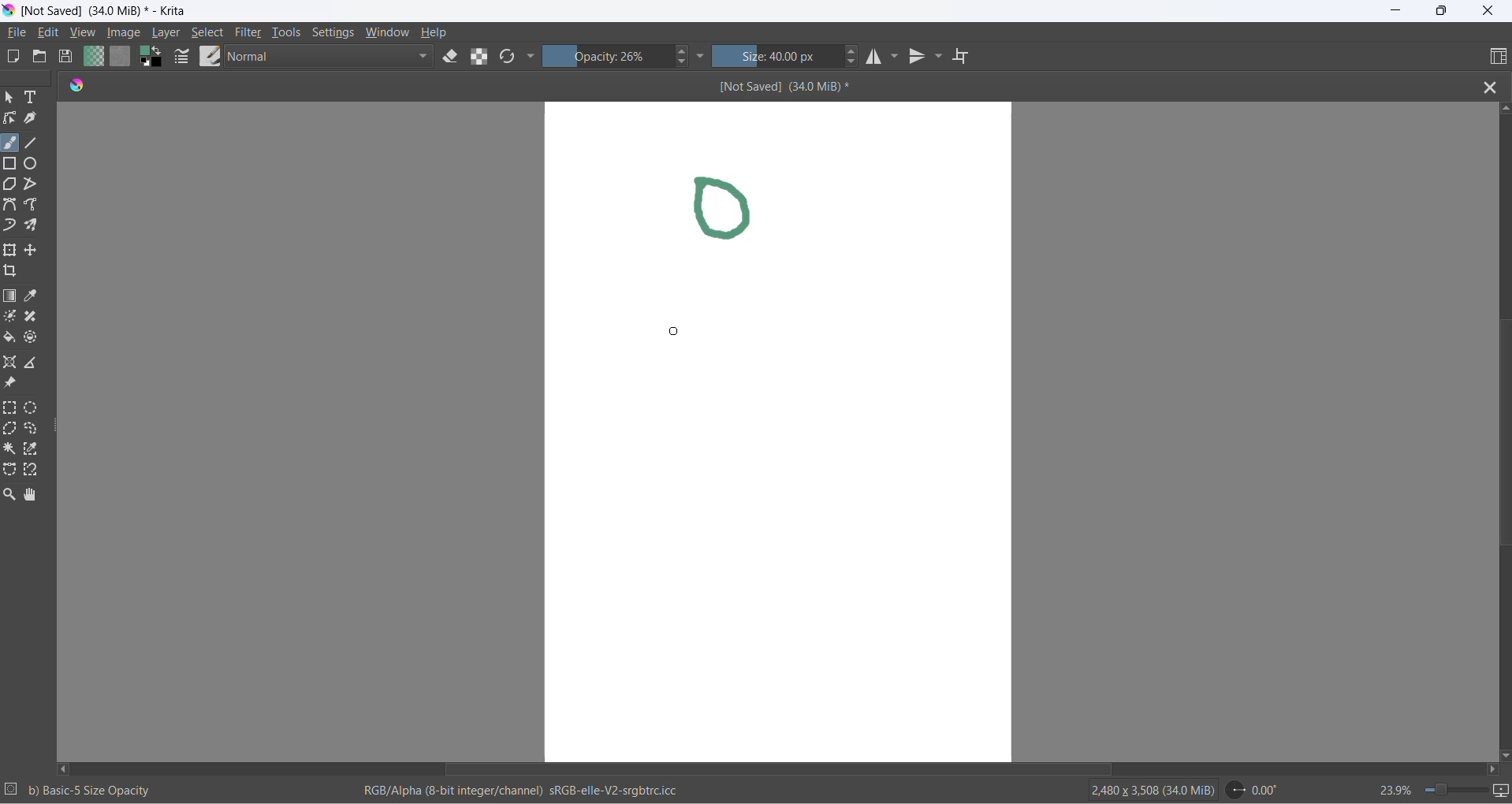 The image size is (1512, 804). Describe the element at coordinates (13, 472) in the screenshot. I see `Bezier curve selection tool ` at that location.